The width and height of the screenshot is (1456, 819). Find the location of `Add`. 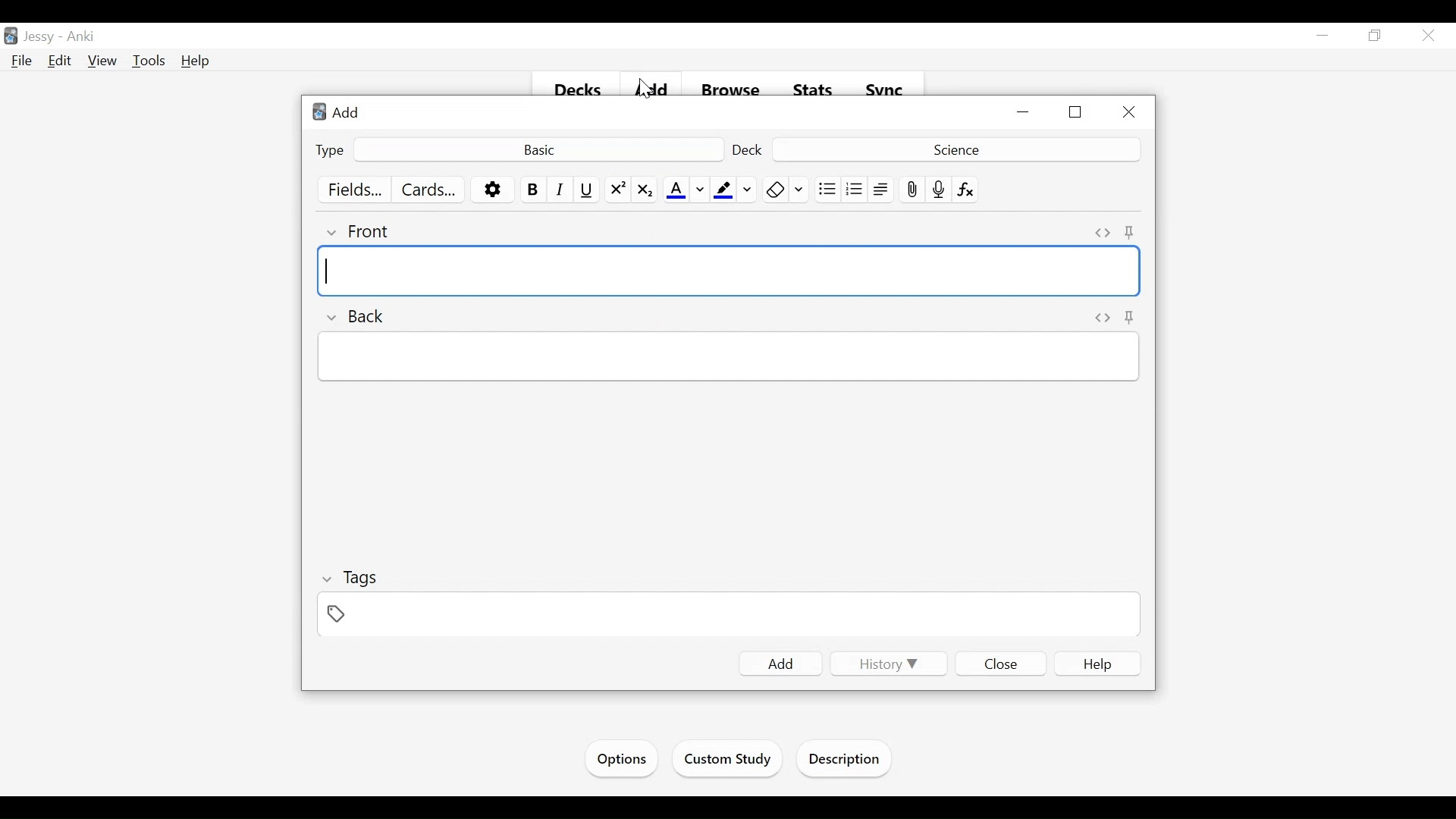

Add is located at coordinates (654, 91).